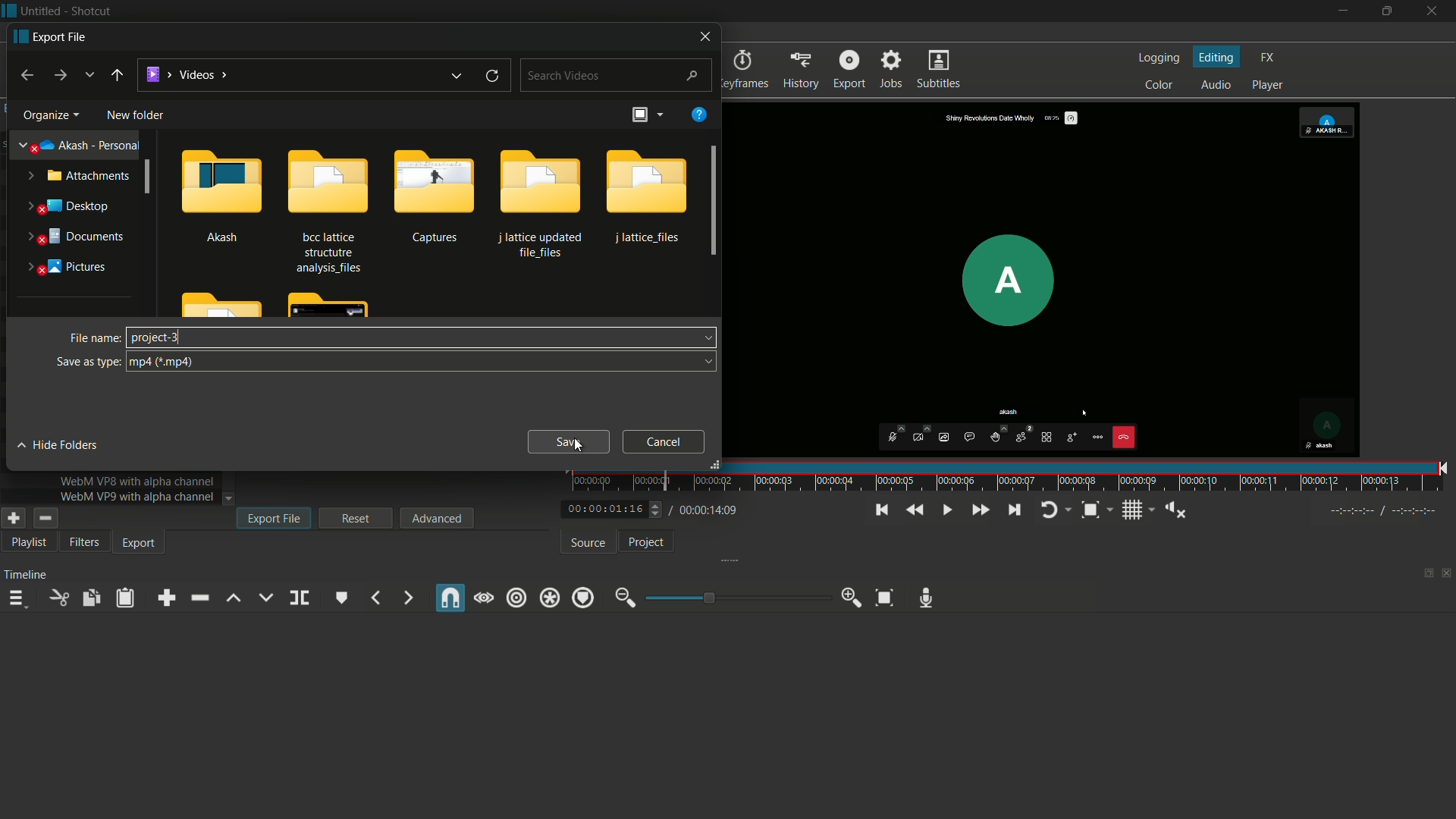 Image resolution: width=1456 pixels, height=819 pixels. What do you see at coordinates (1268, 58) in the screenshot?
I see `fx` at bounding box center [1268, 58].